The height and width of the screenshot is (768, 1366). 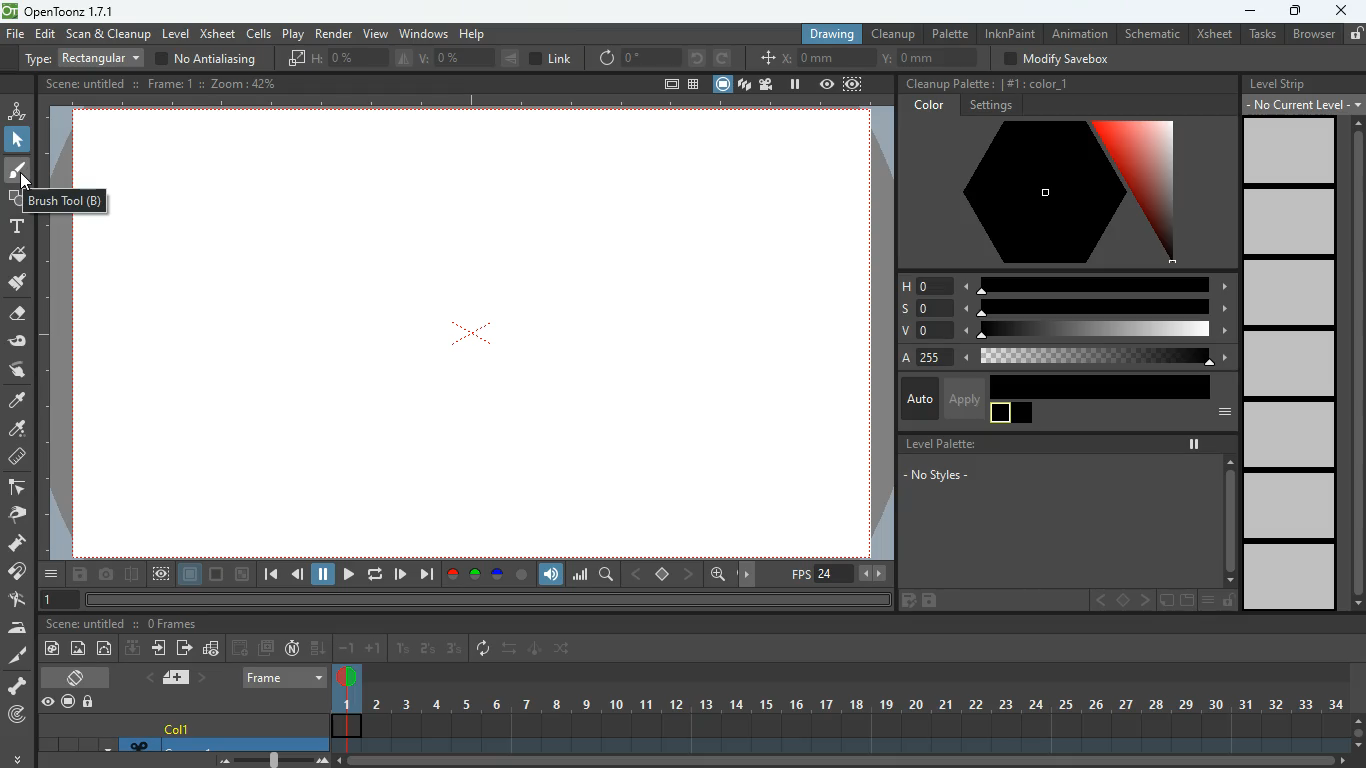 What do you see at coordinates (67, 200) in the screenshot?
I see `Brush Tool (B)` at bounding box center [67, 200].